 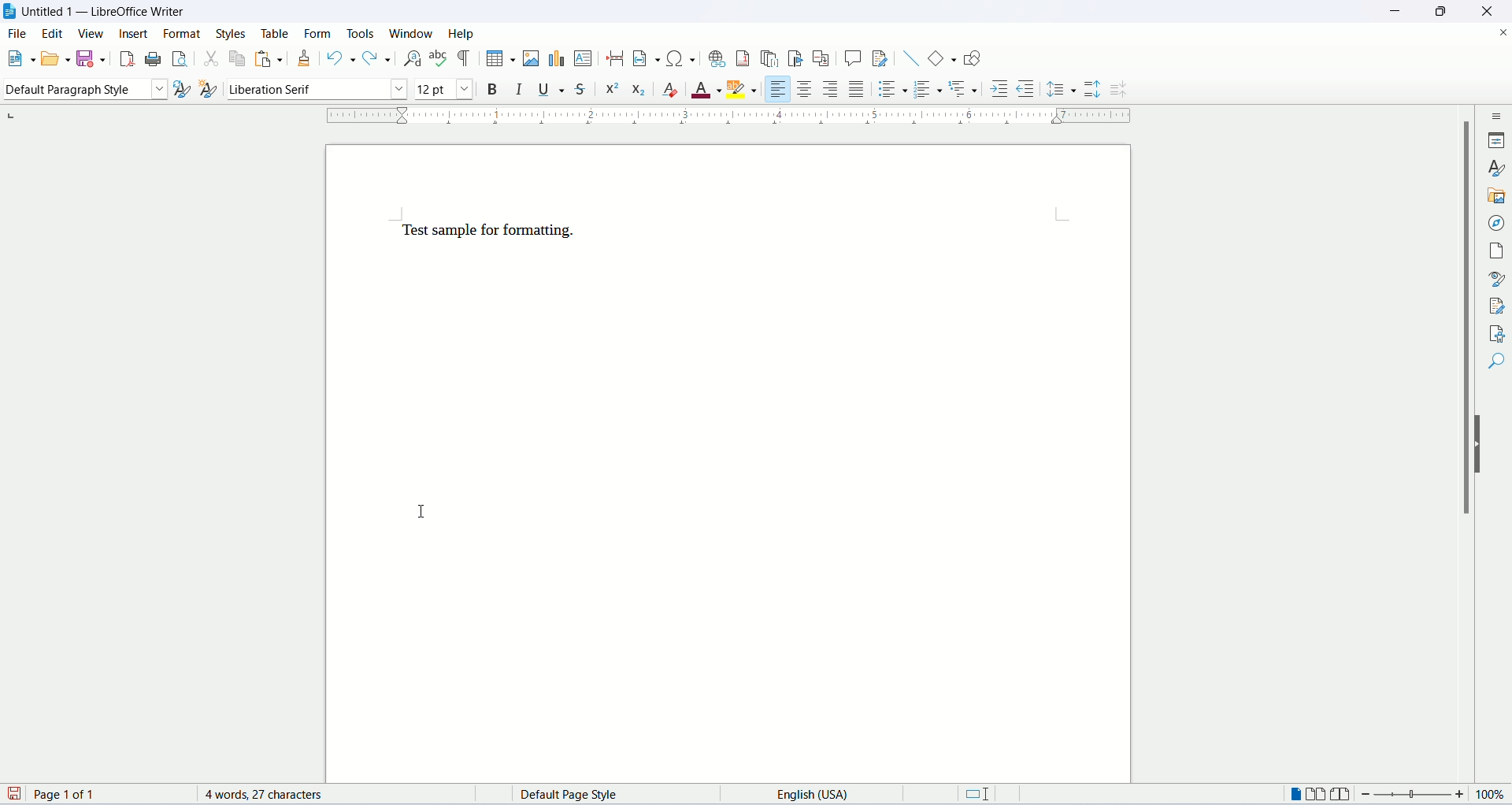 What do you see at coordinates (488, 88) in the screenshot?
I see `bold` at bounding box center [488, 88].